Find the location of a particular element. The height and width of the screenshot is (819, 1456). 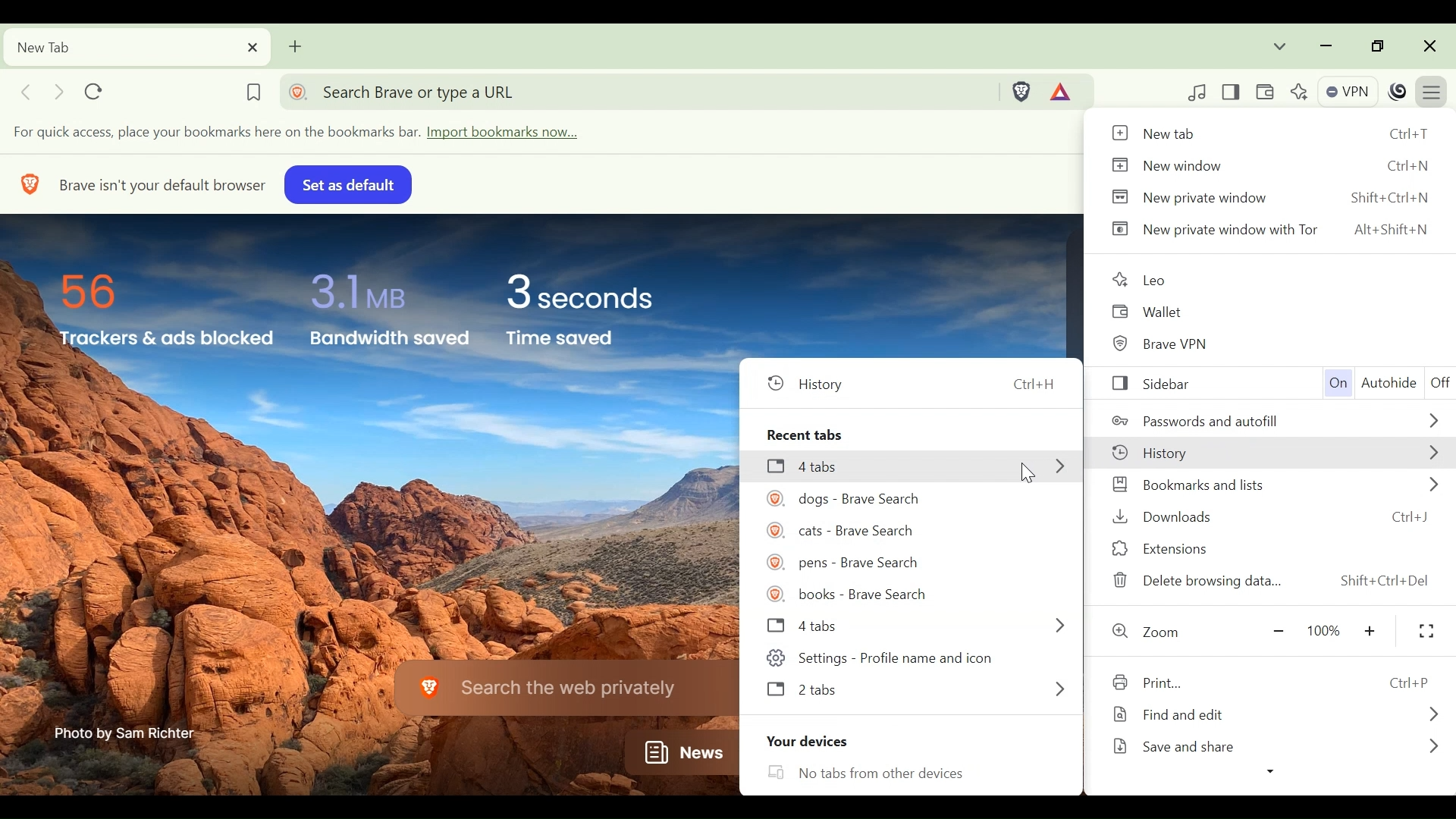

LO No tabs from other devices is located at coordinates (905, 772).